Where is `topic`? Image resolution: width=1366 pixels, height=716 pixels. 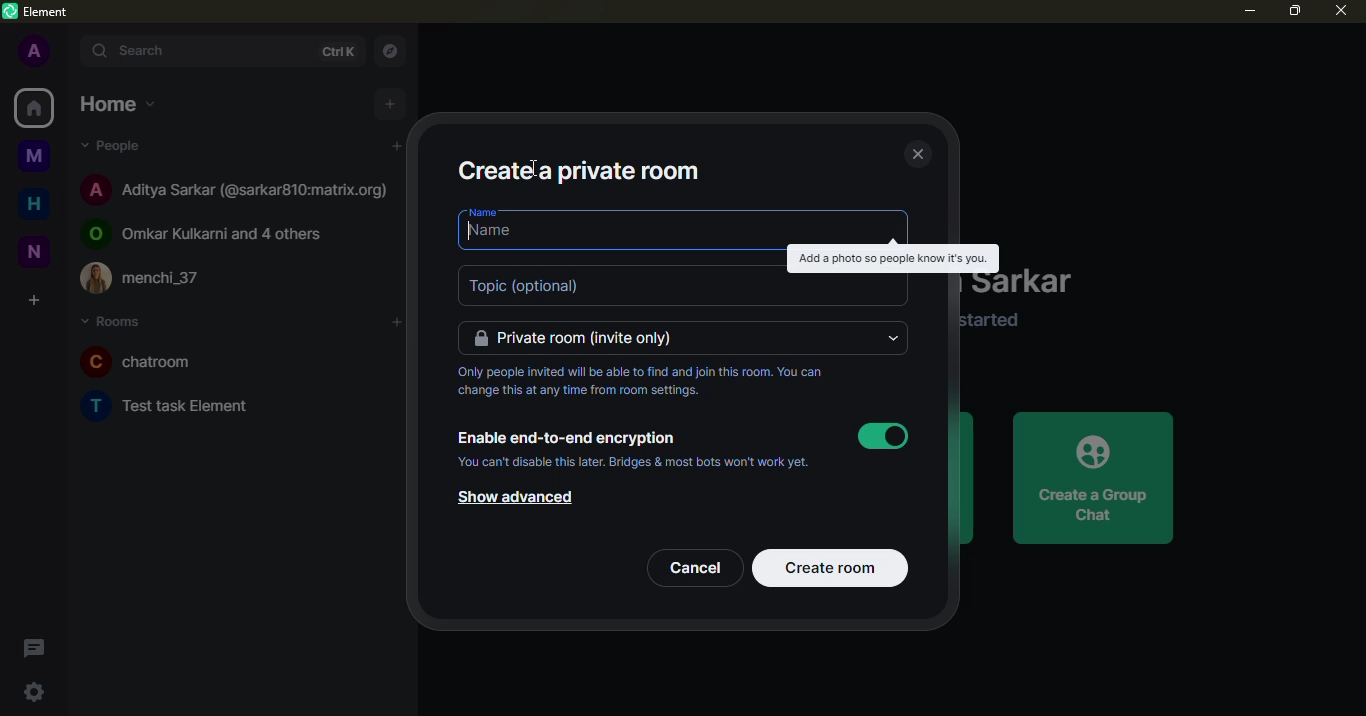 topic is located at coordinates (530, 286).